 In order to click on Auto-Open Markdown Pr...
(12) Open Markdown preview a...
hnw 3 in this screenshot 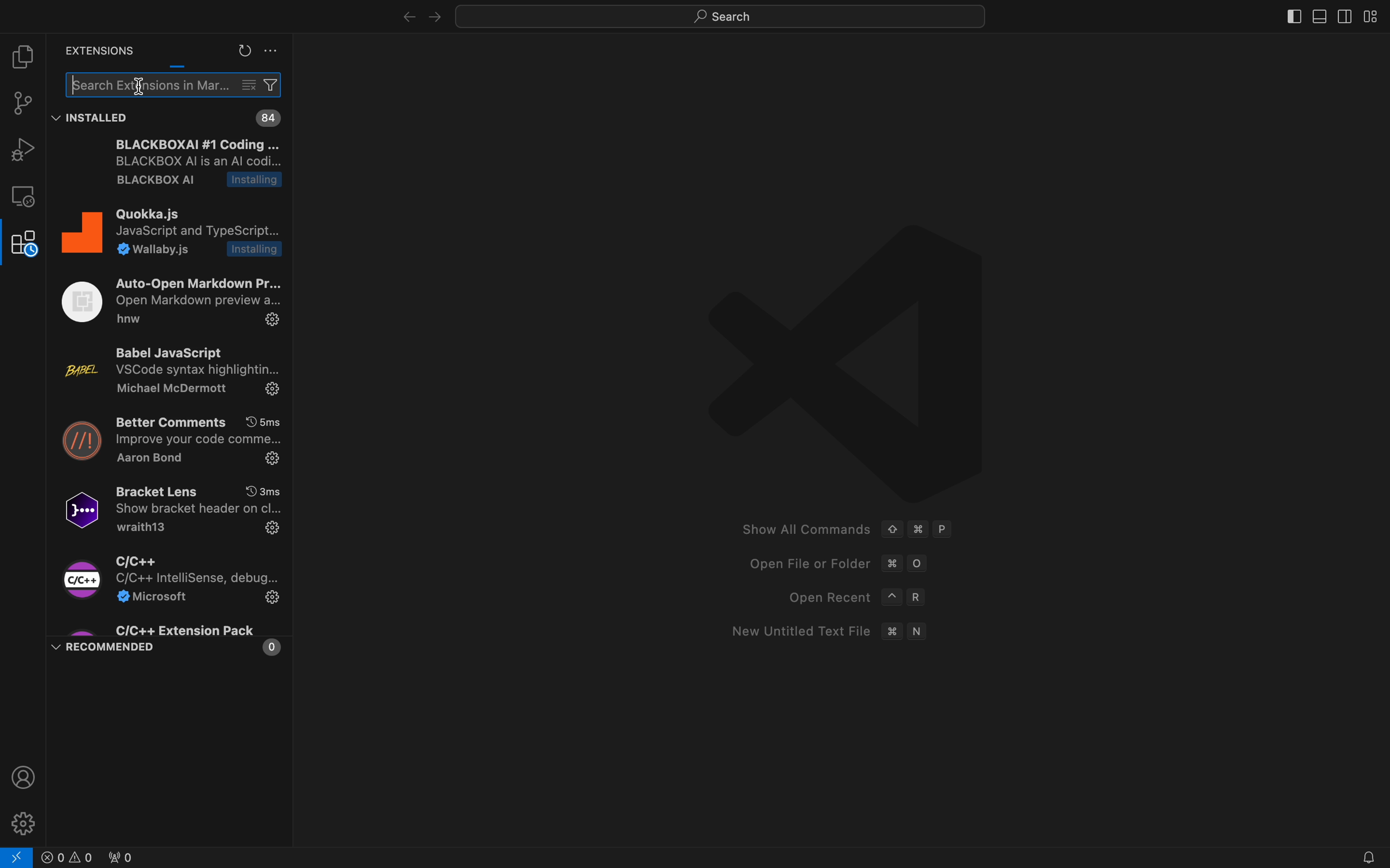, I will do `click(175, 308)`.